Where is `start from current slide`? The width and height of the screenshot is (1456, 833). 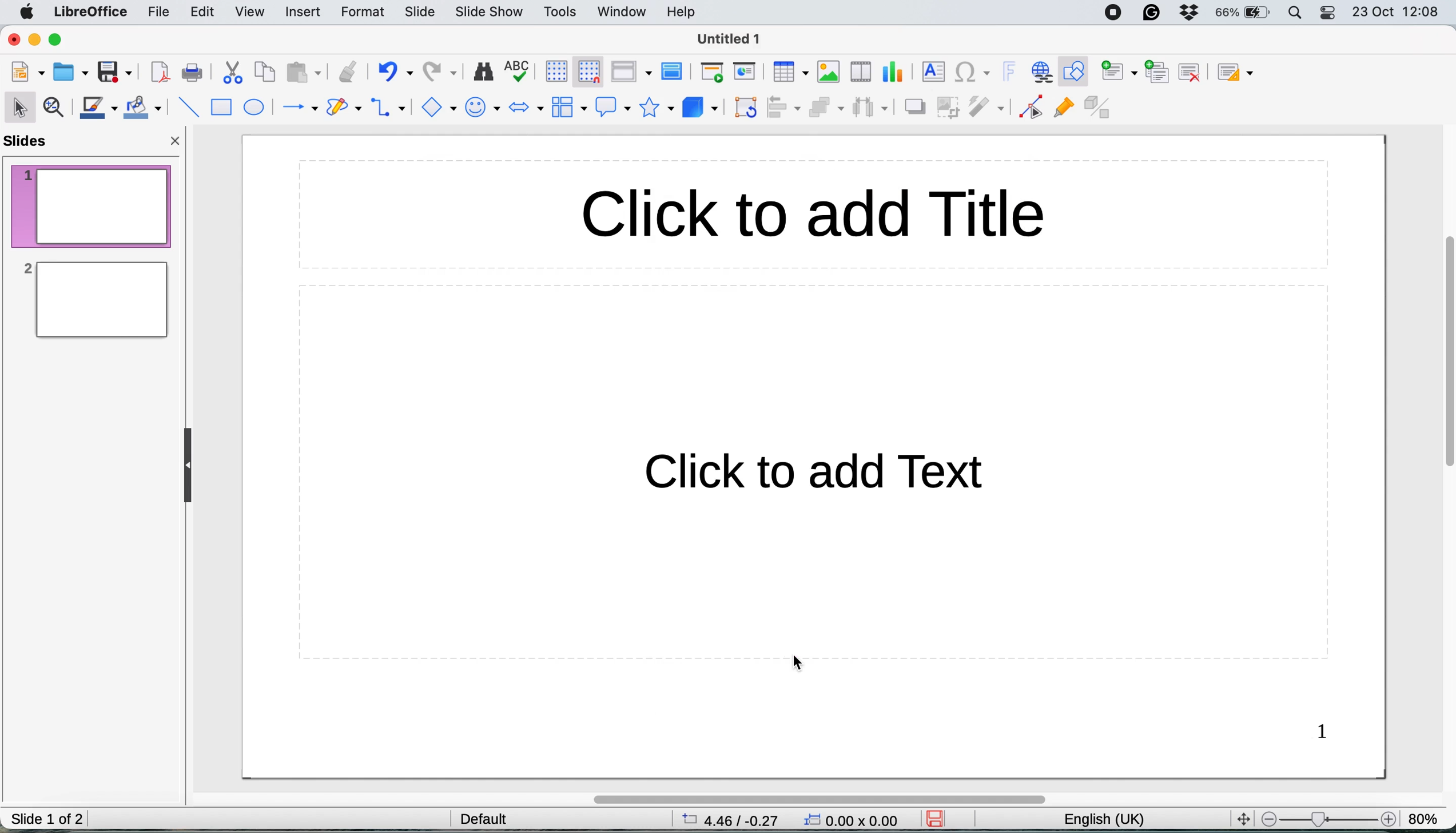
start from current slide is located at coordinates (746, 72).